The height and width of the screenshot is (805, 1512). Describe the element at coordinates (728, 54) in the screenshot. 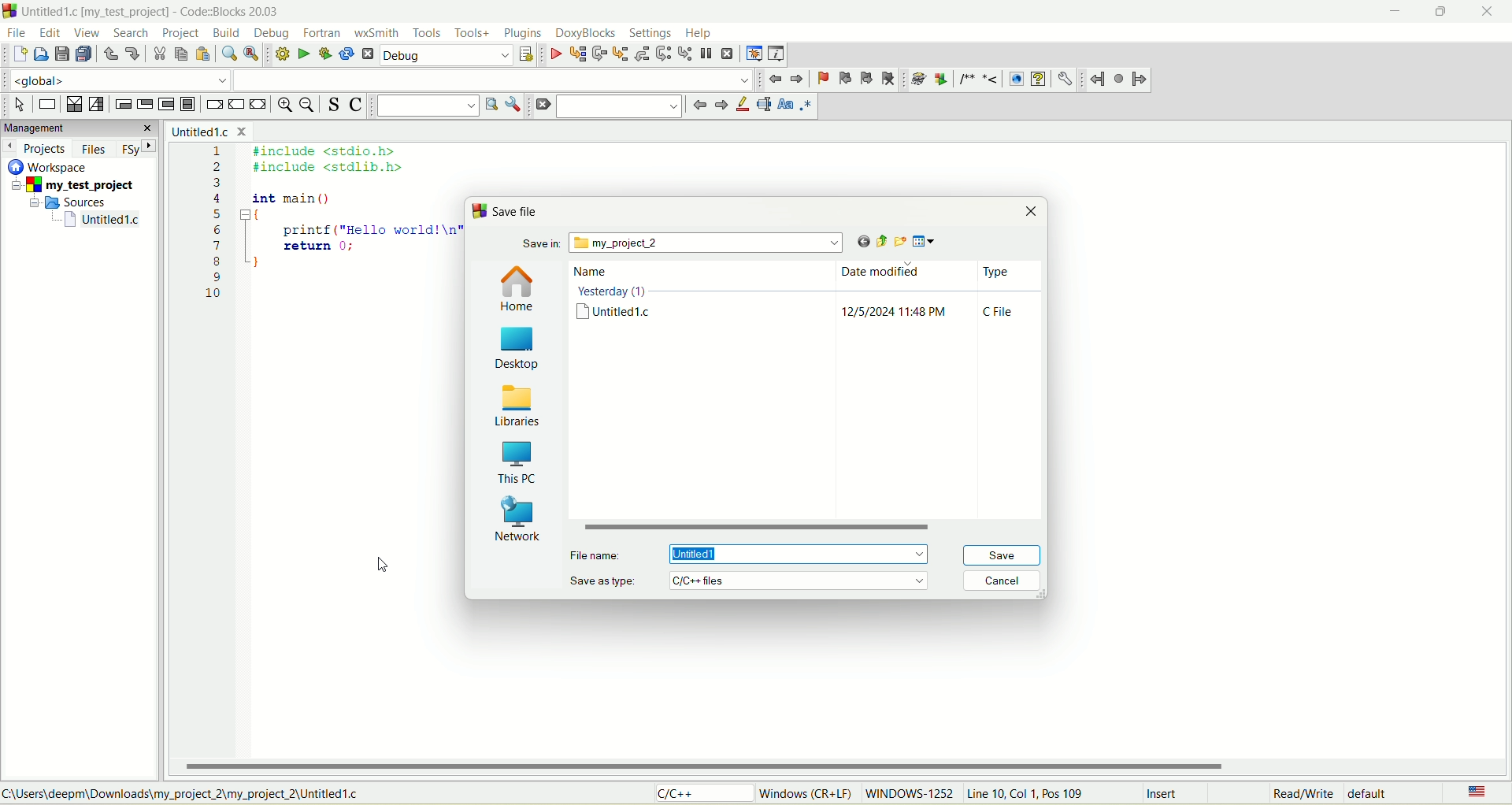

I see `stop debugger` at that location.